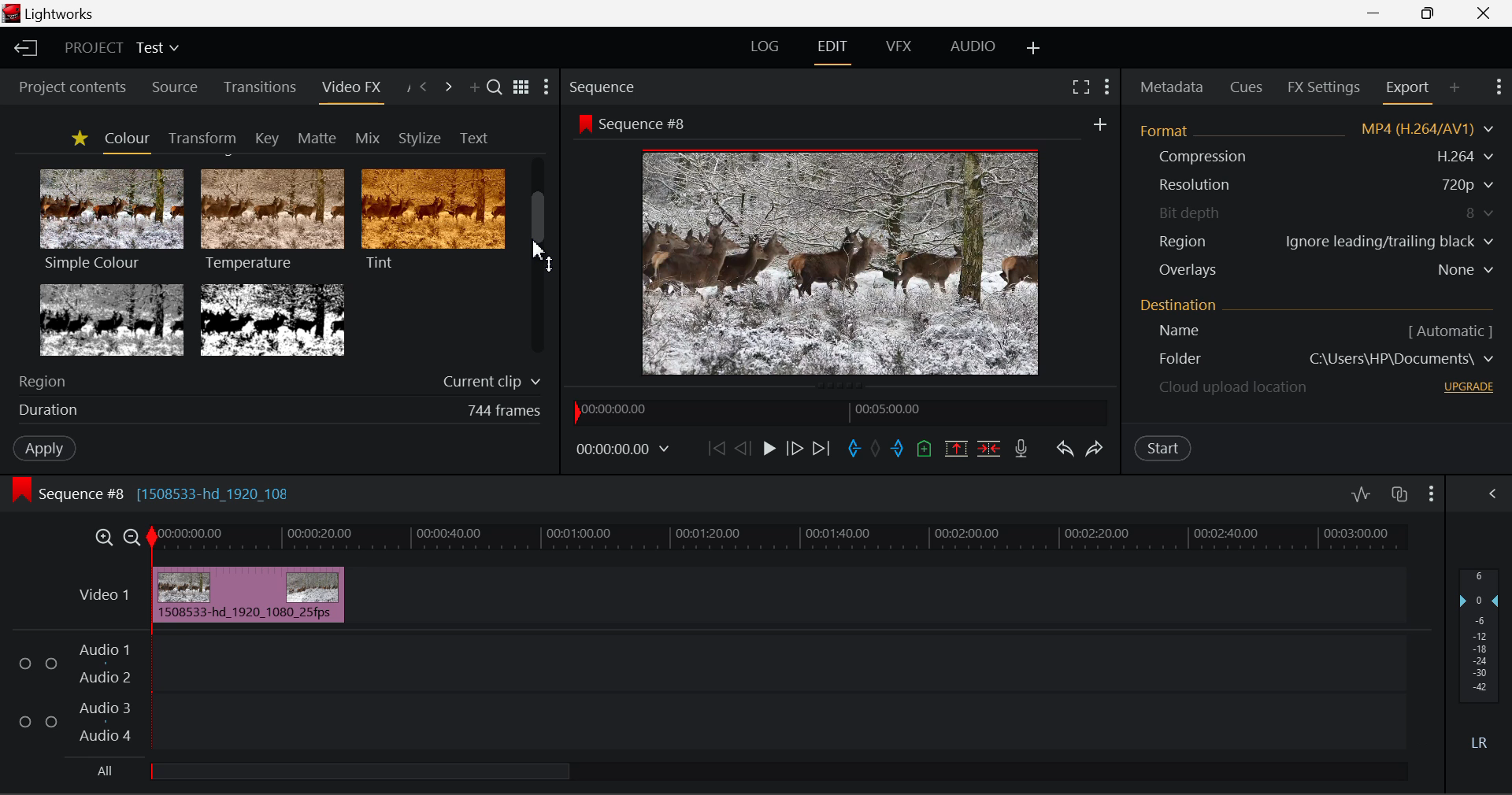  I want to click on Search, so click(496, 90).